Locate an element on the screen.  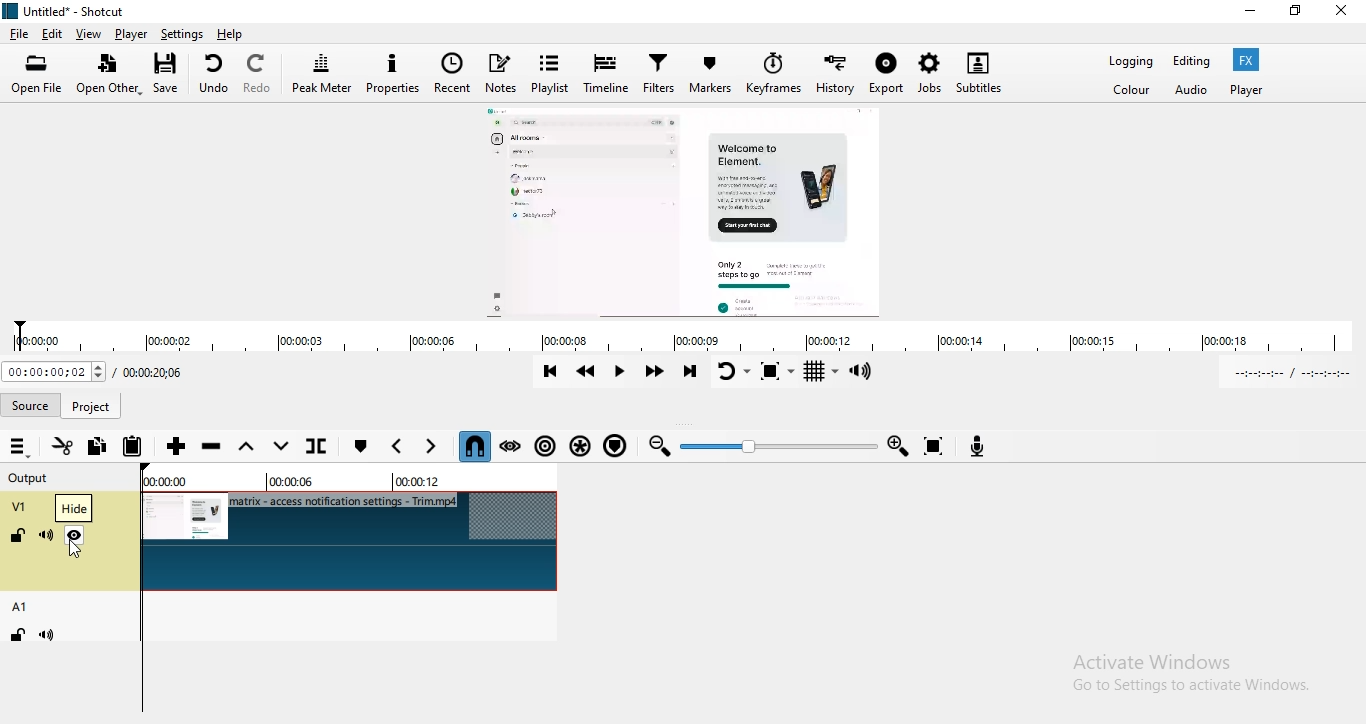
Play quickly backwards is located at coordinates (588, 374).